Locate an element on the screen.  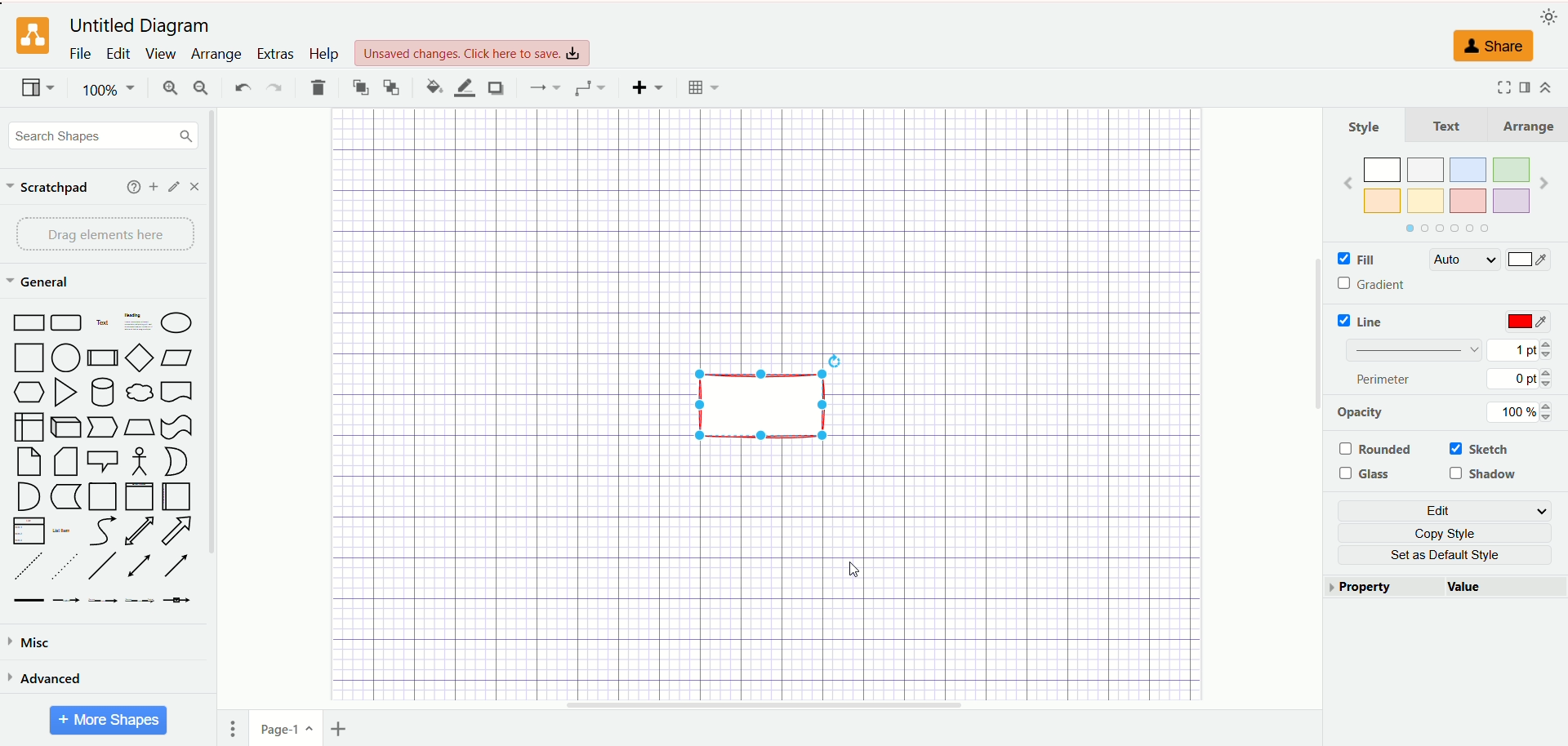
copy style is located at coordinates (1444, 532).